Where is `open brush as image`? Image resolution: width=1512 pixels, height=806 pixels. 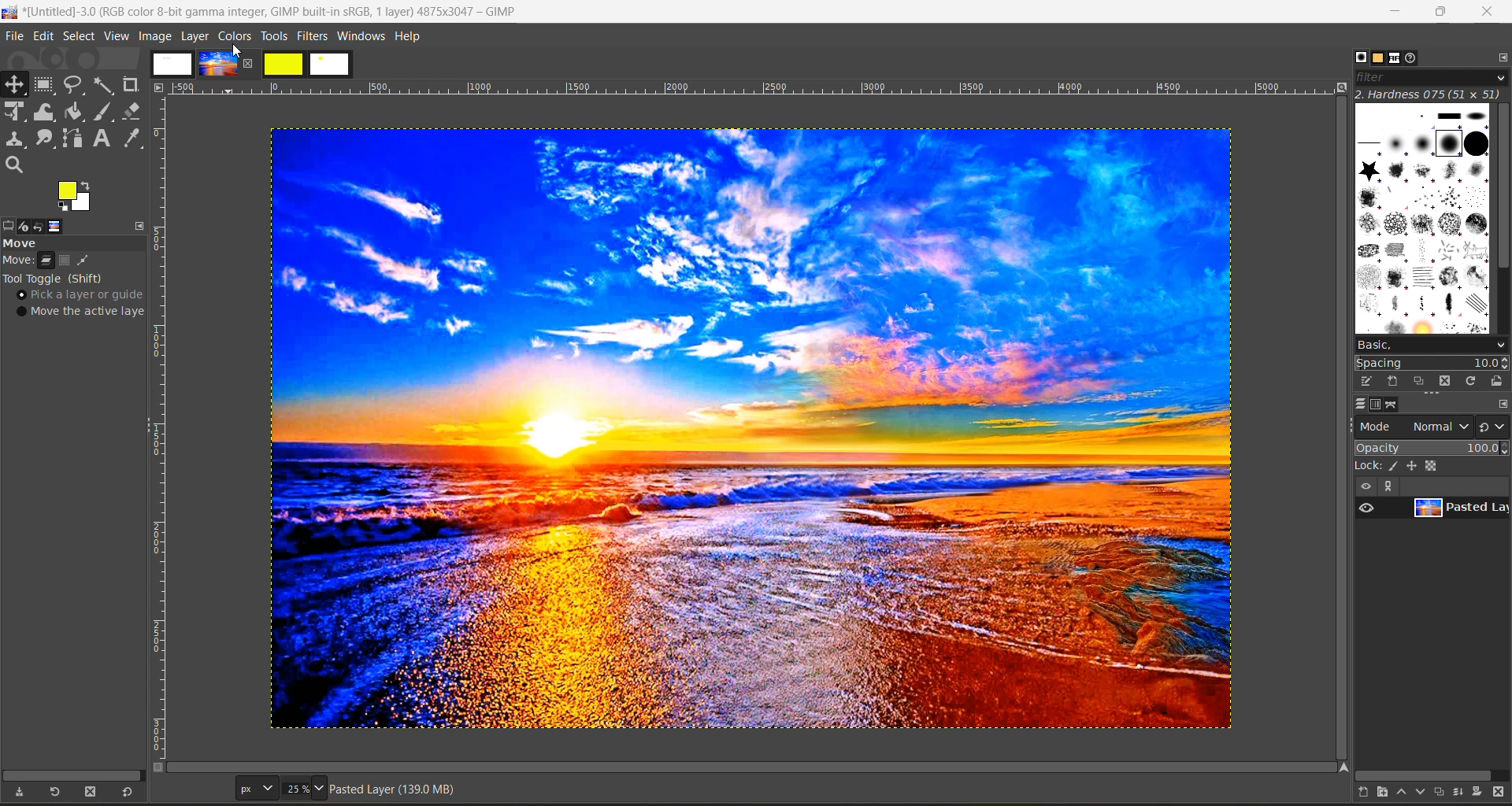
open brush as image is located at coordinates (1499, 382).